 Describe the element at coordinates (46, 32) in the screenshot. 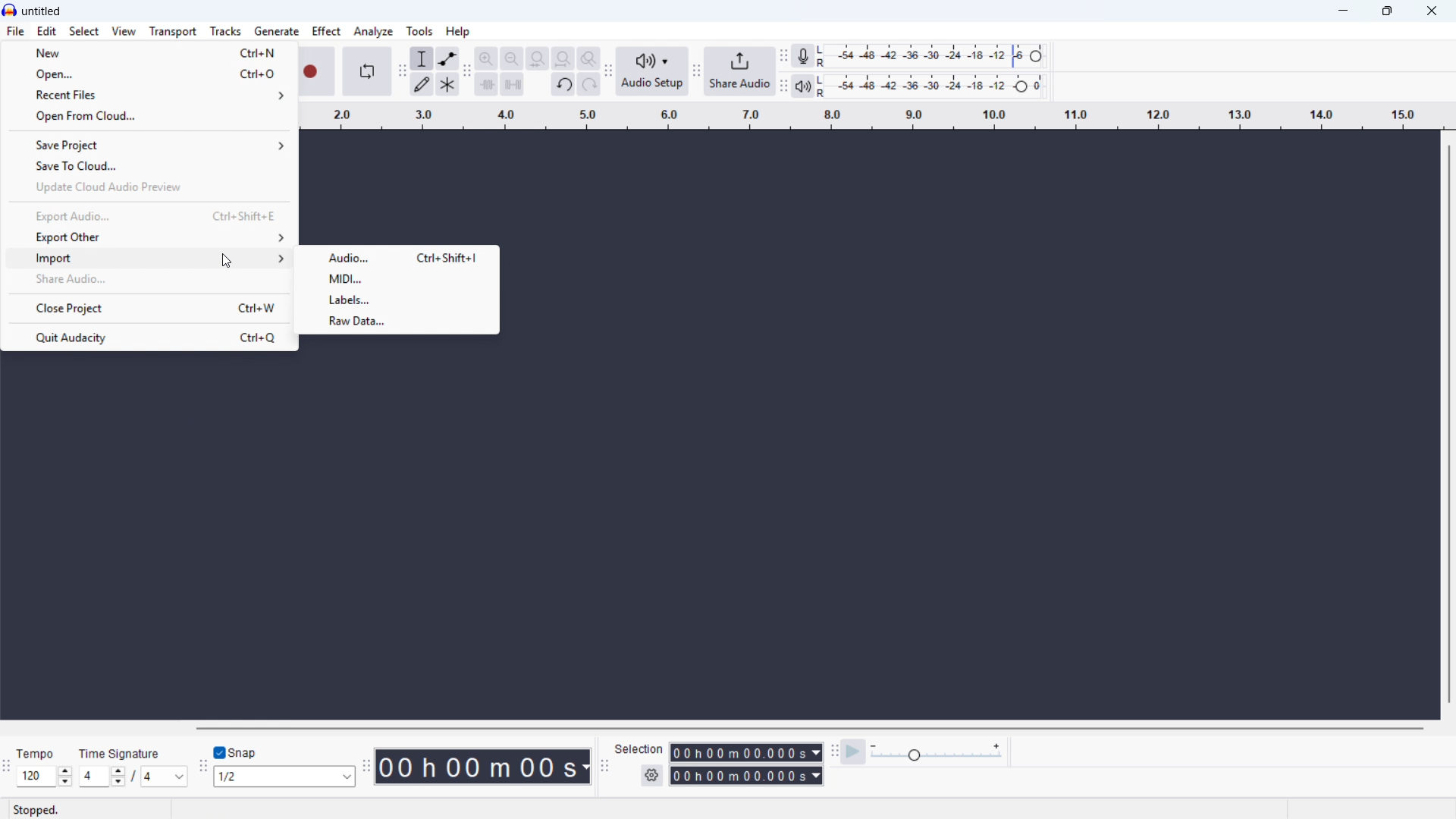

I see `Edit ` at that location.